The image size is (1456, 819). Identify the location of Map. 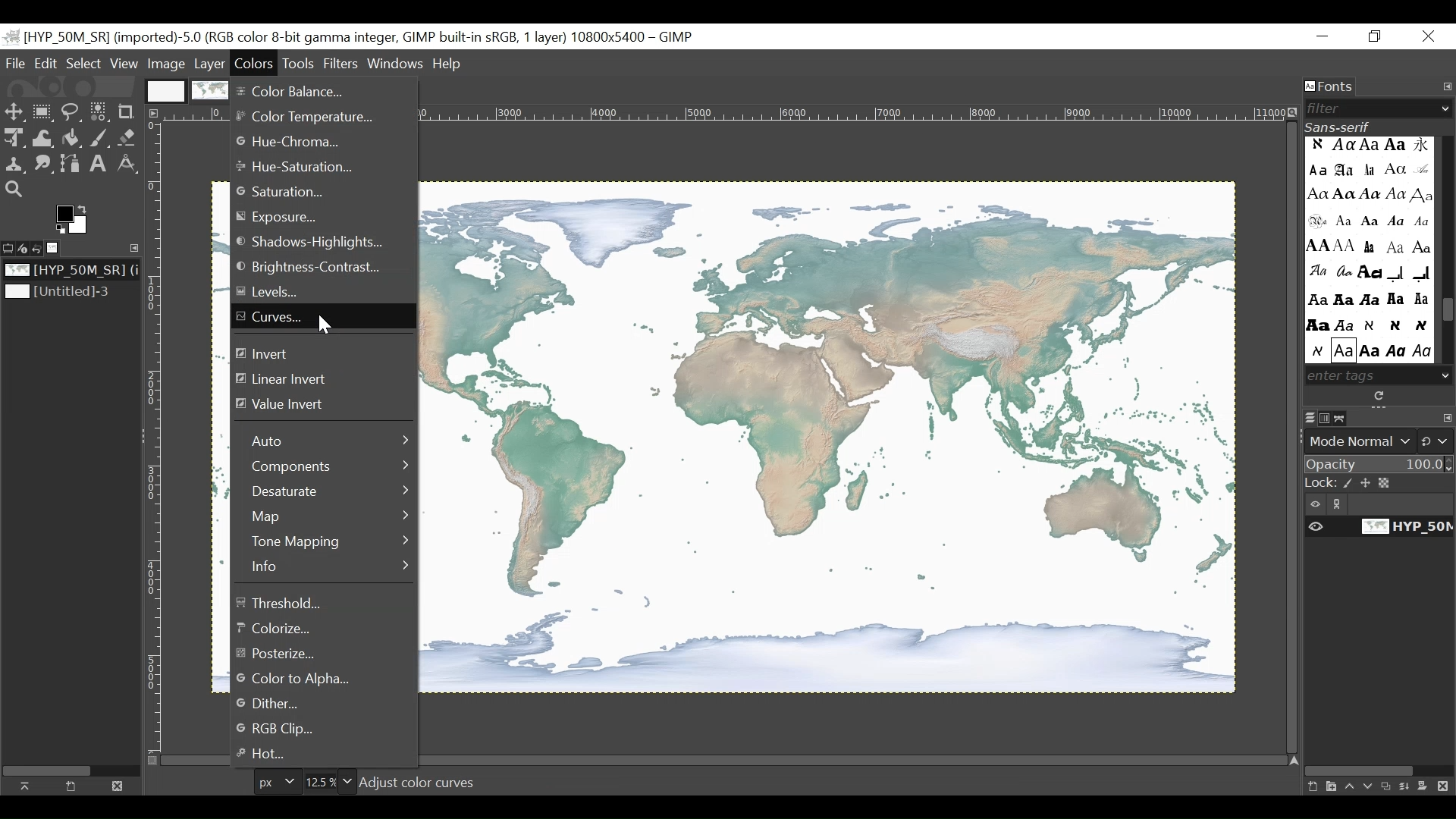
(322, 516).